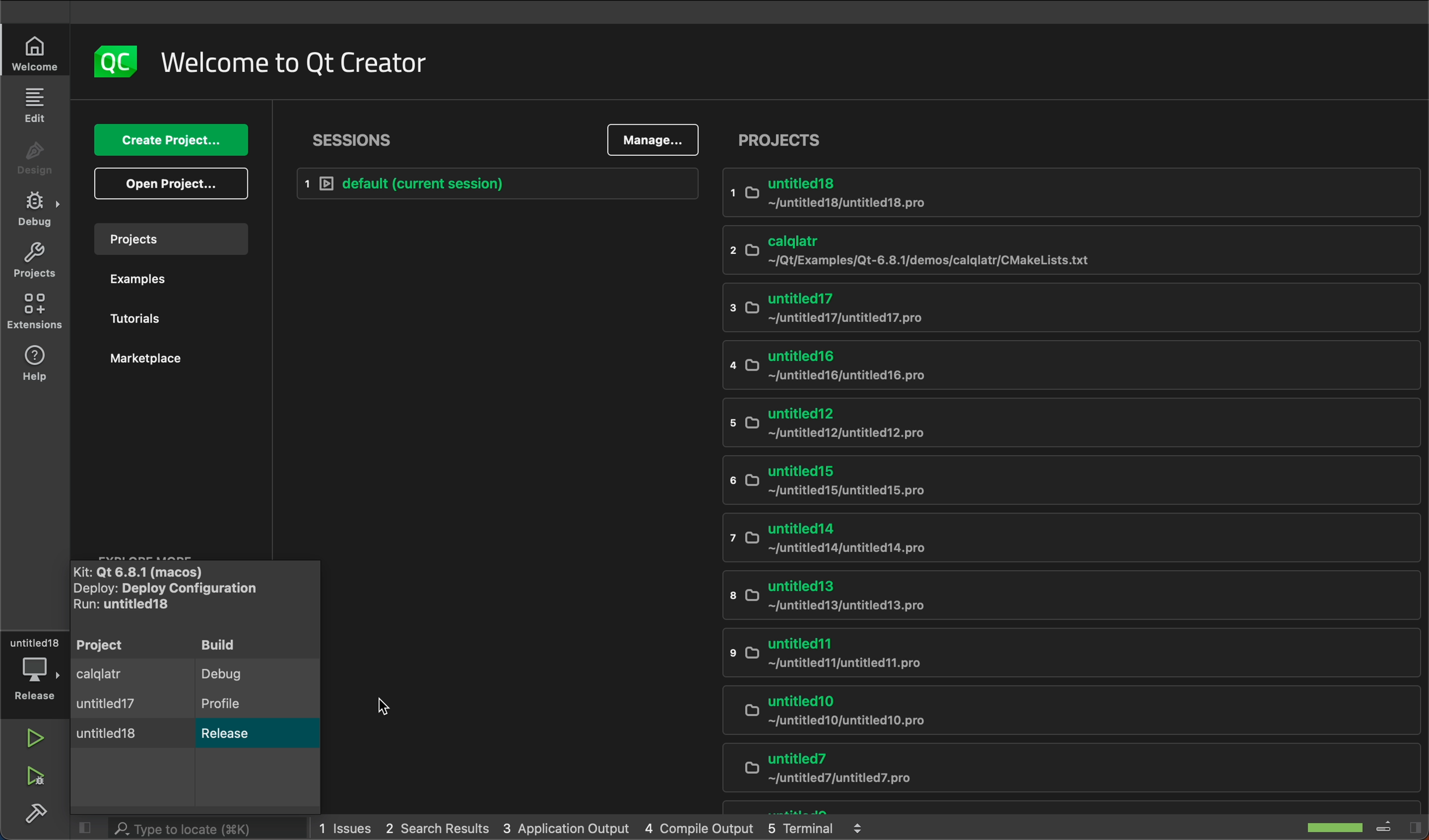 This screenshot has height=840, width=1429. What do you see at coordinates (155, 571) in the screenshot?
I see `kit name` at bounding box center [155, 571].